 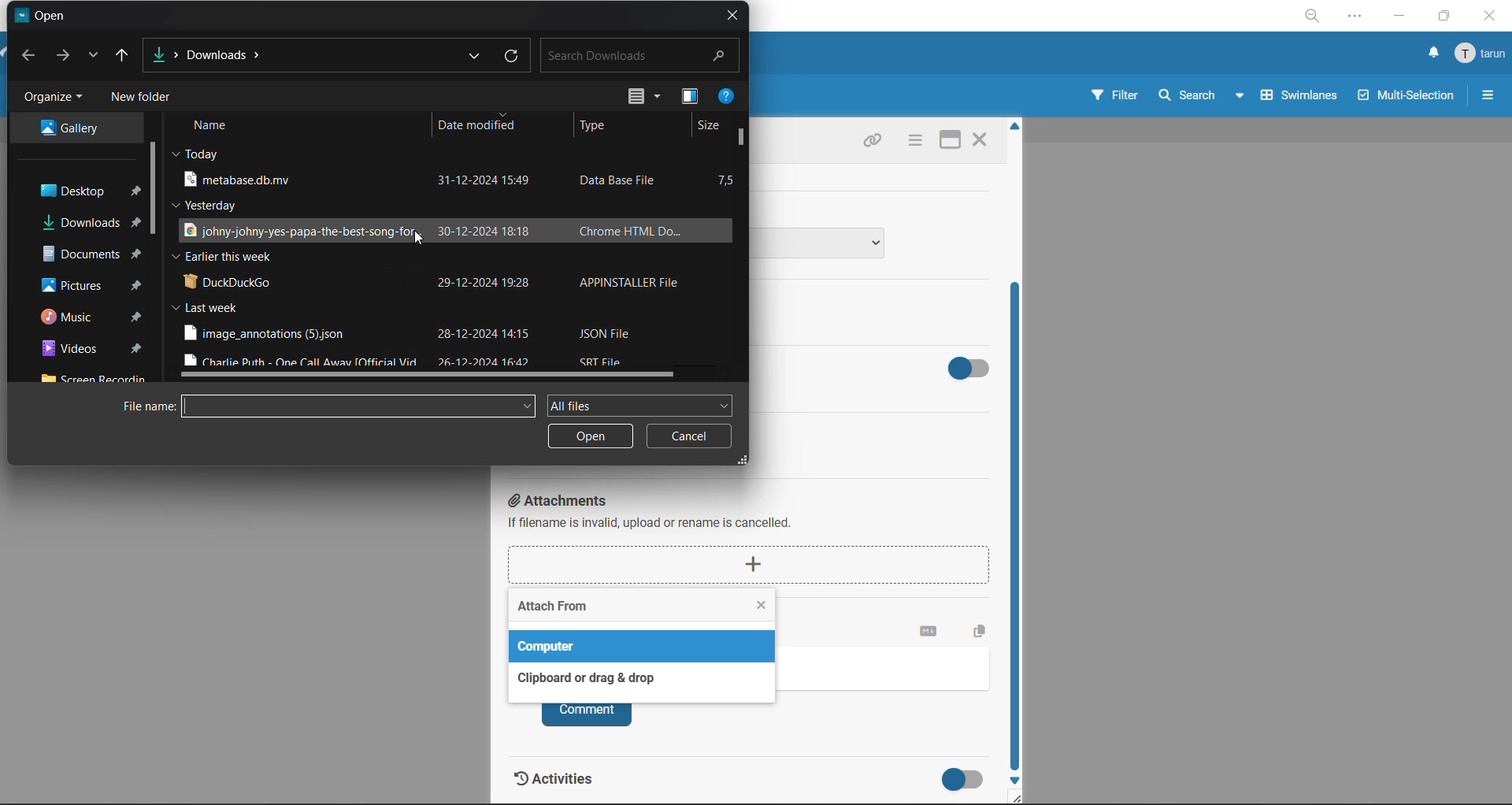 What do you see at coordinates (432, 231) in the screenshot?
I see `file with date and type` at bounding box center [432, 231].